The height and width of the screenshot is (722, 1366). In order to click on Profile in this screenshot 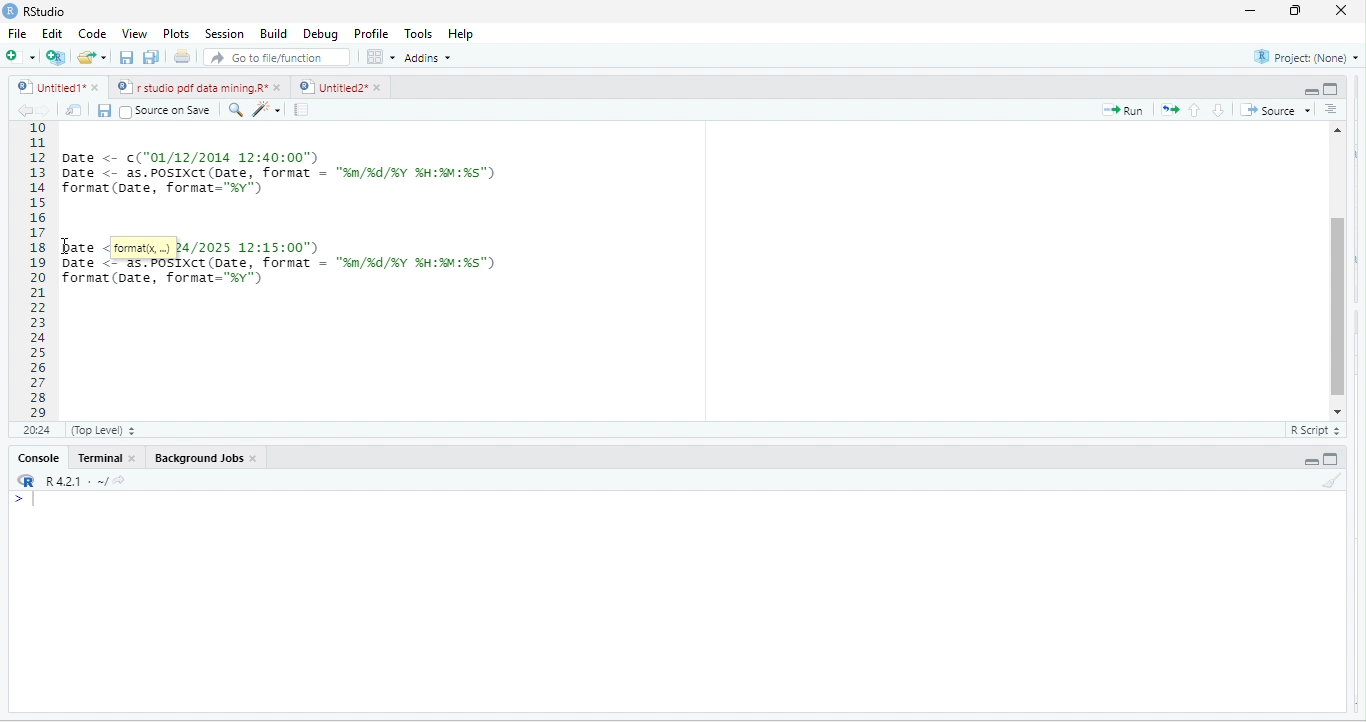, I will do `click(368, 33)`.